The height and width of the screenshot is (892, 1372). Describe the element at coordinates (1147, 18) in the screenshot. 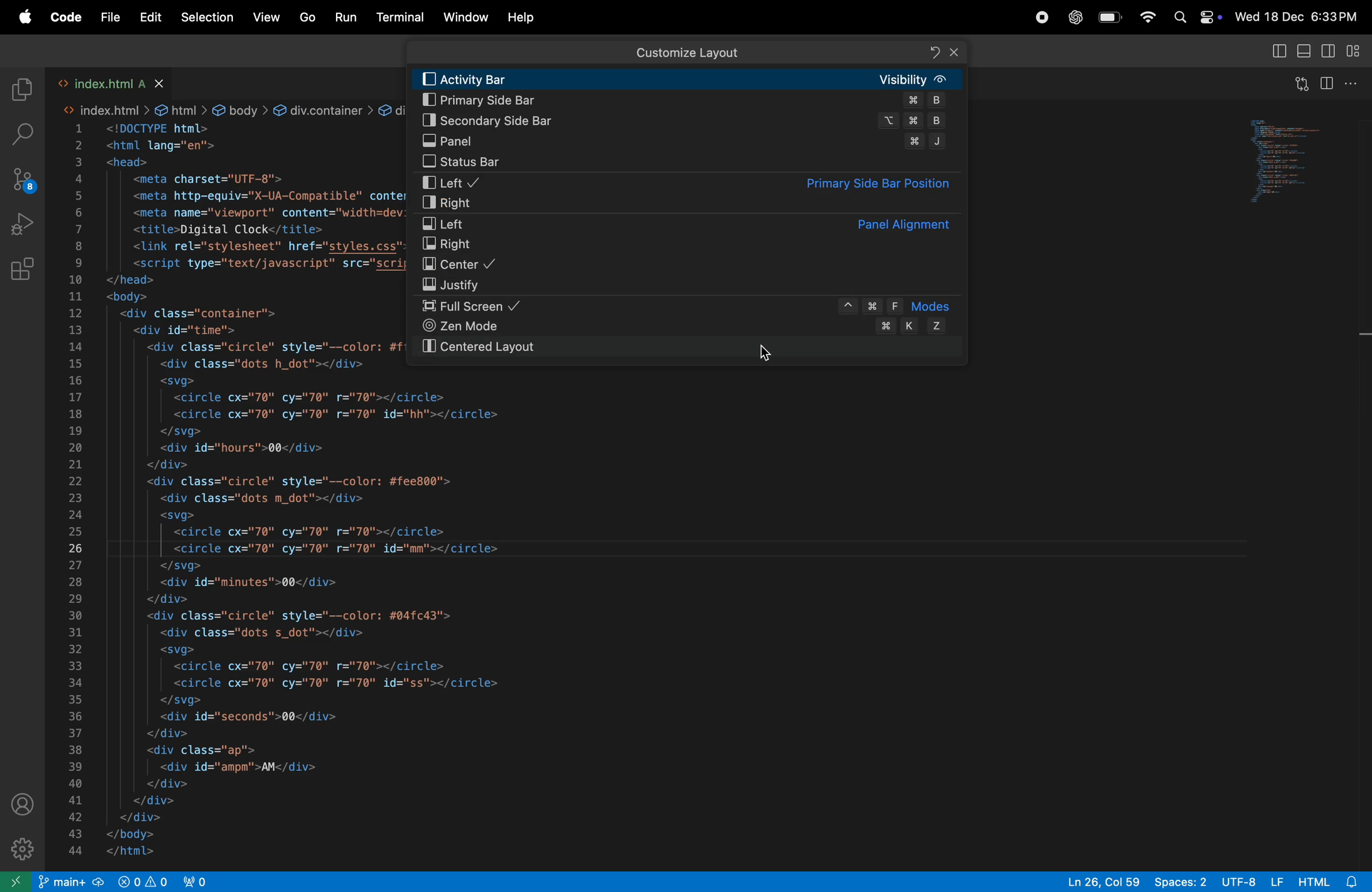

I see `Wifi` at that location.